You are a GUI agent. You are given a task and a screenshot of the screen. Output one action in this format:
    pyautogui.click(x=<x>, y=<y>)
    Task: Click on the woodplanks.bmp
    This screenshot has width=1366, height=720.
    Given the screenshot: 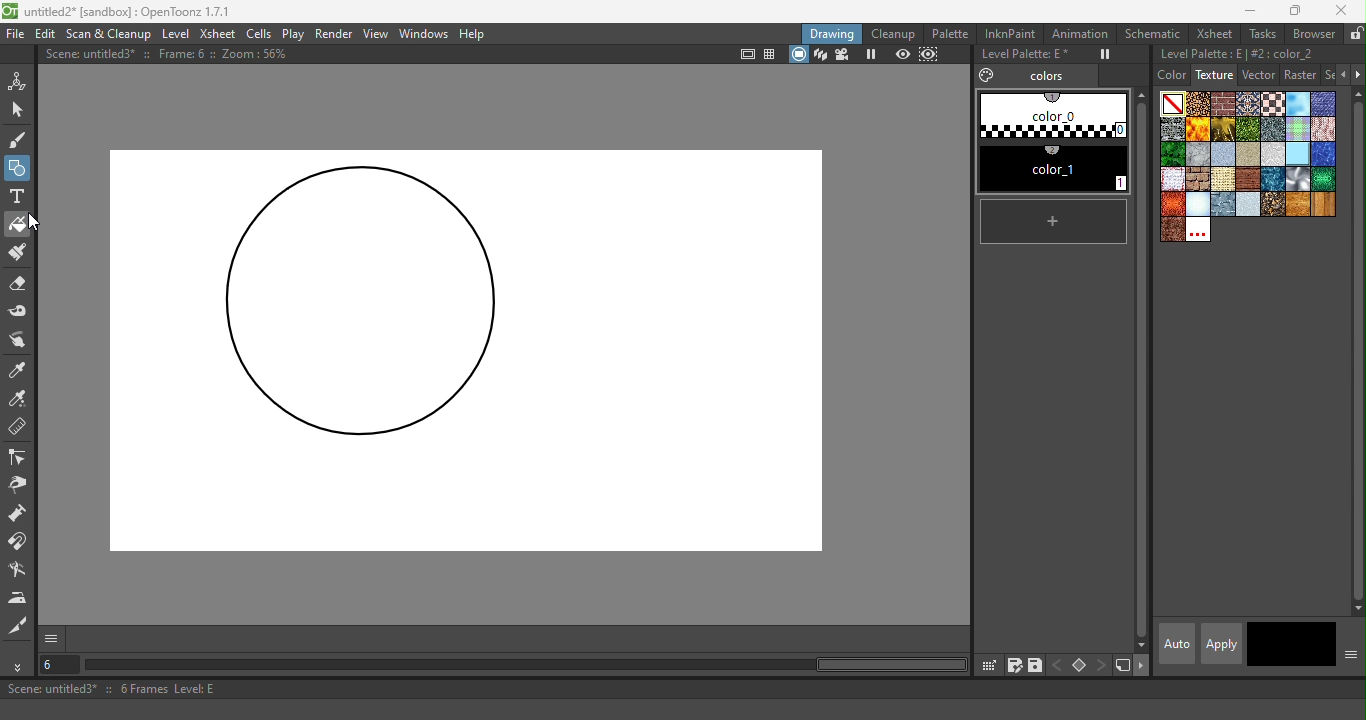 What is the action you would take?
    pyautogui.click(x=1324, y=205)
    